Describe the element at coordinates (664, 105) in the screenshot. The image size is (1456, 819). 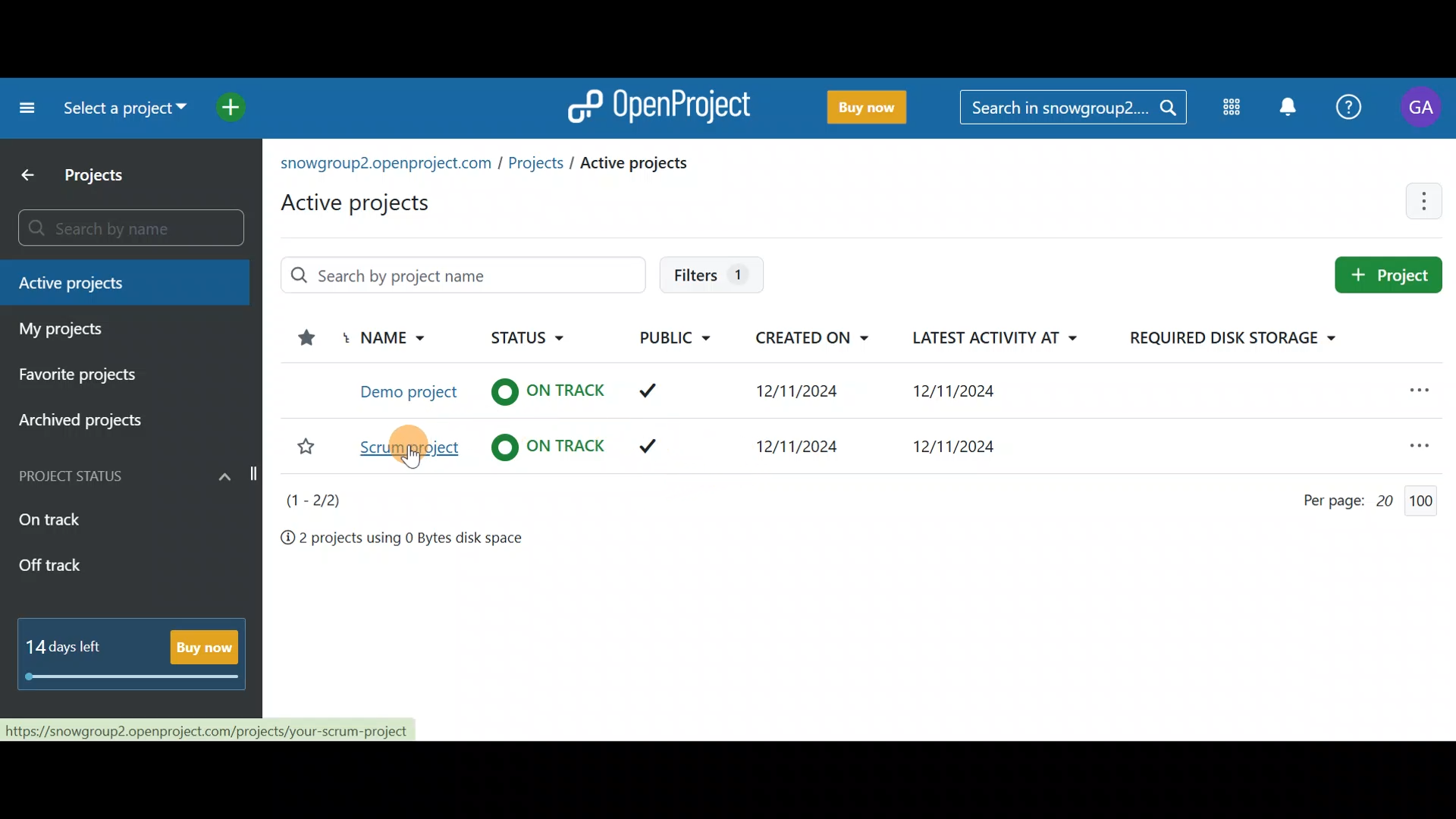
I see `OpenProject` at that location.